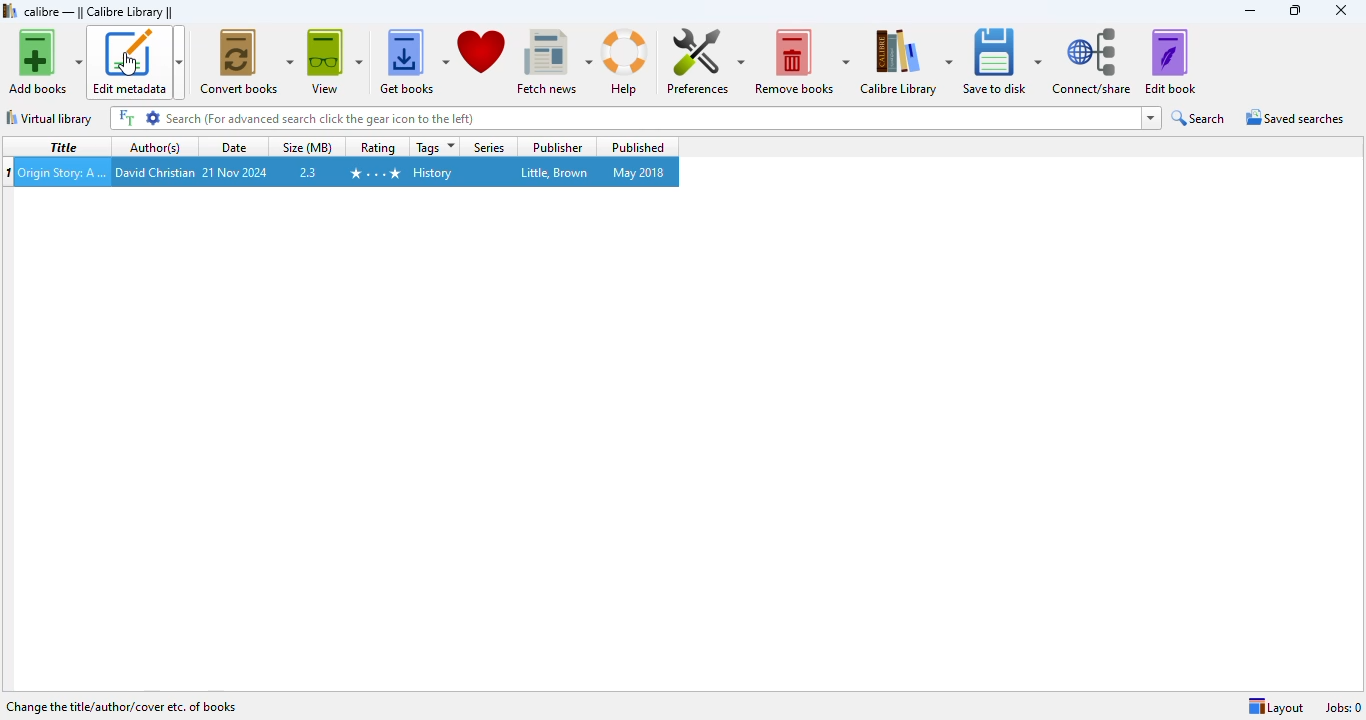  Describe the element at coordinates (626, 62) in the screenshot. I see `help` at that location.